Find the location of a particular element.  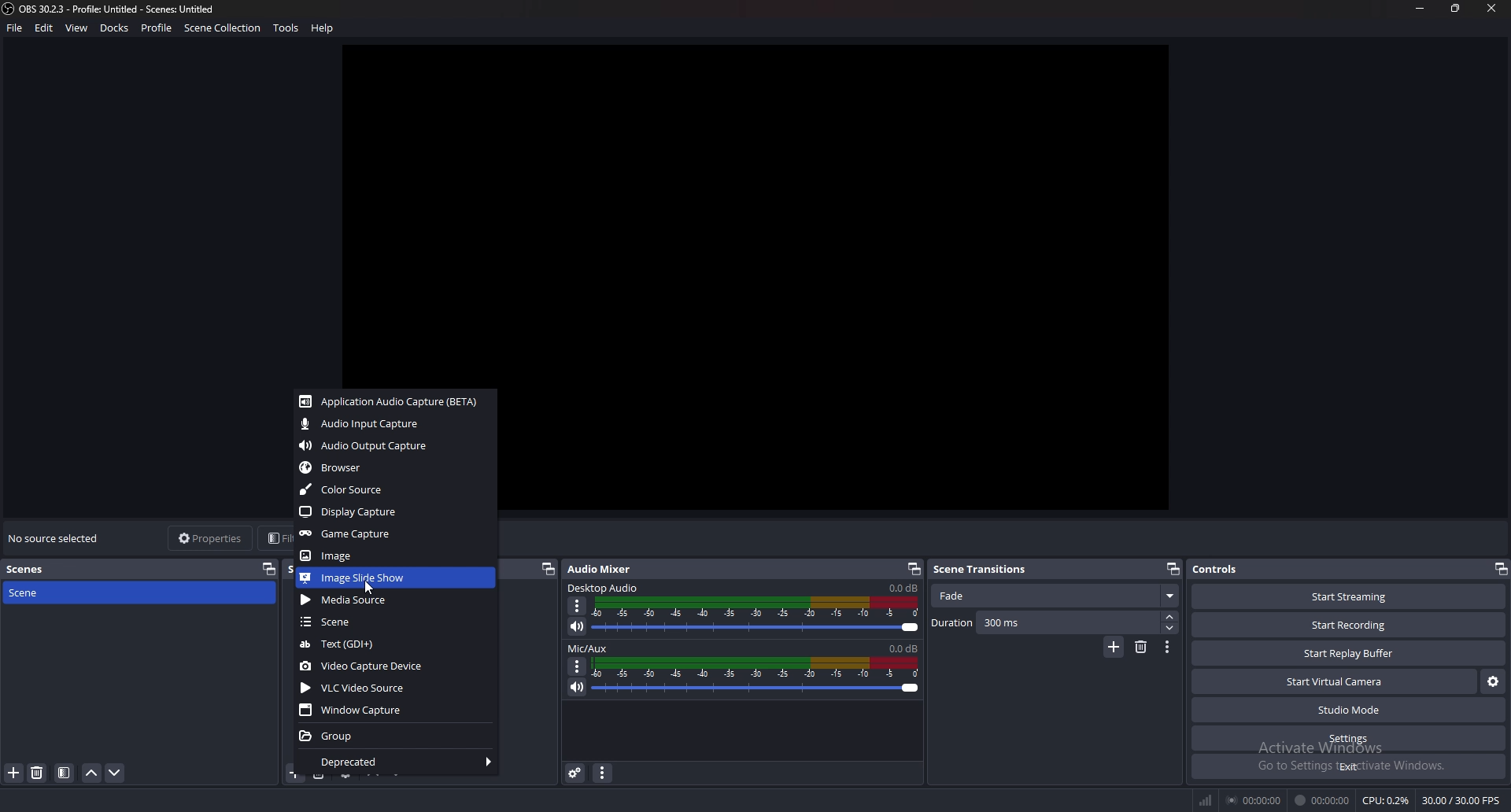

fade is located at coordinates (1057, 597).